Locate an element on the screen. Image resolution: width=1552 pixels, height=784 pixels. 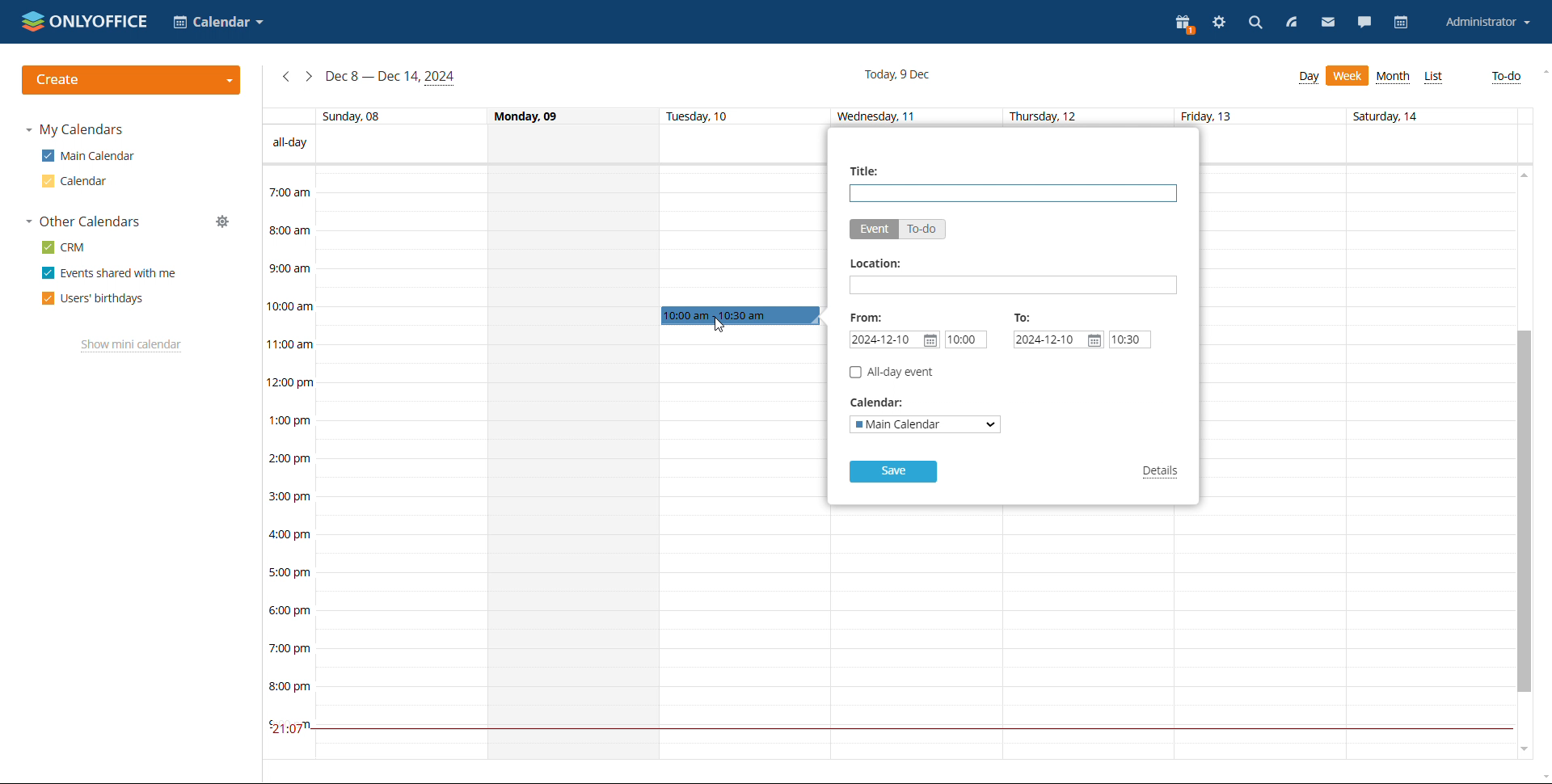
all-day event checkbox is located at coordinates (891, 372).